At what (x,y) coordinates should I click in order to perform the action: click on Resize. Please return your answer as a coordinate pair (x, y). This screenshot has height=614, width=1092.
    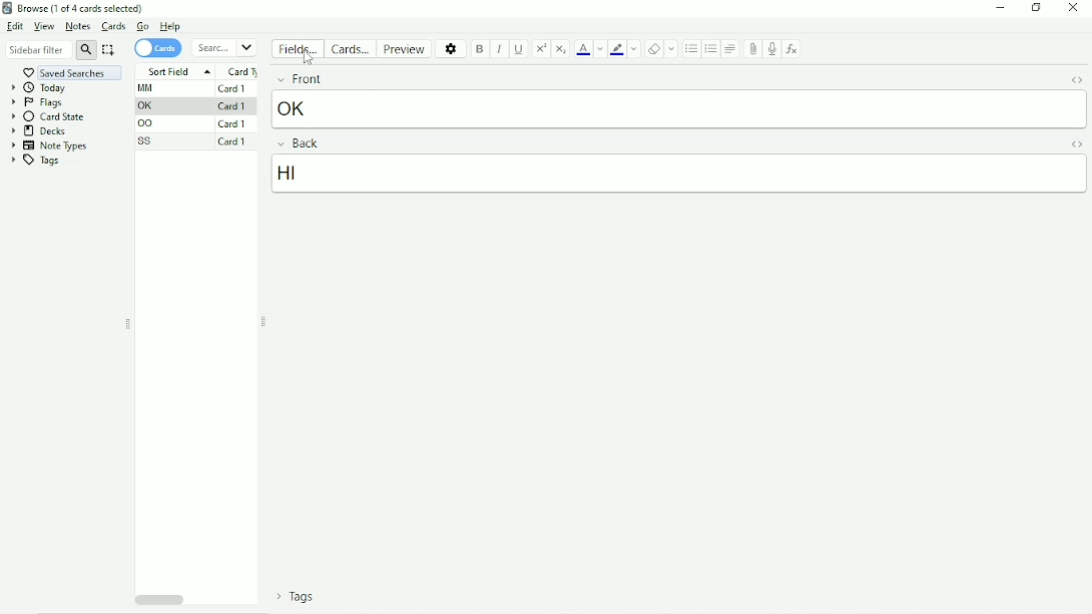
    Looking at the image, I should click on (265, 321).